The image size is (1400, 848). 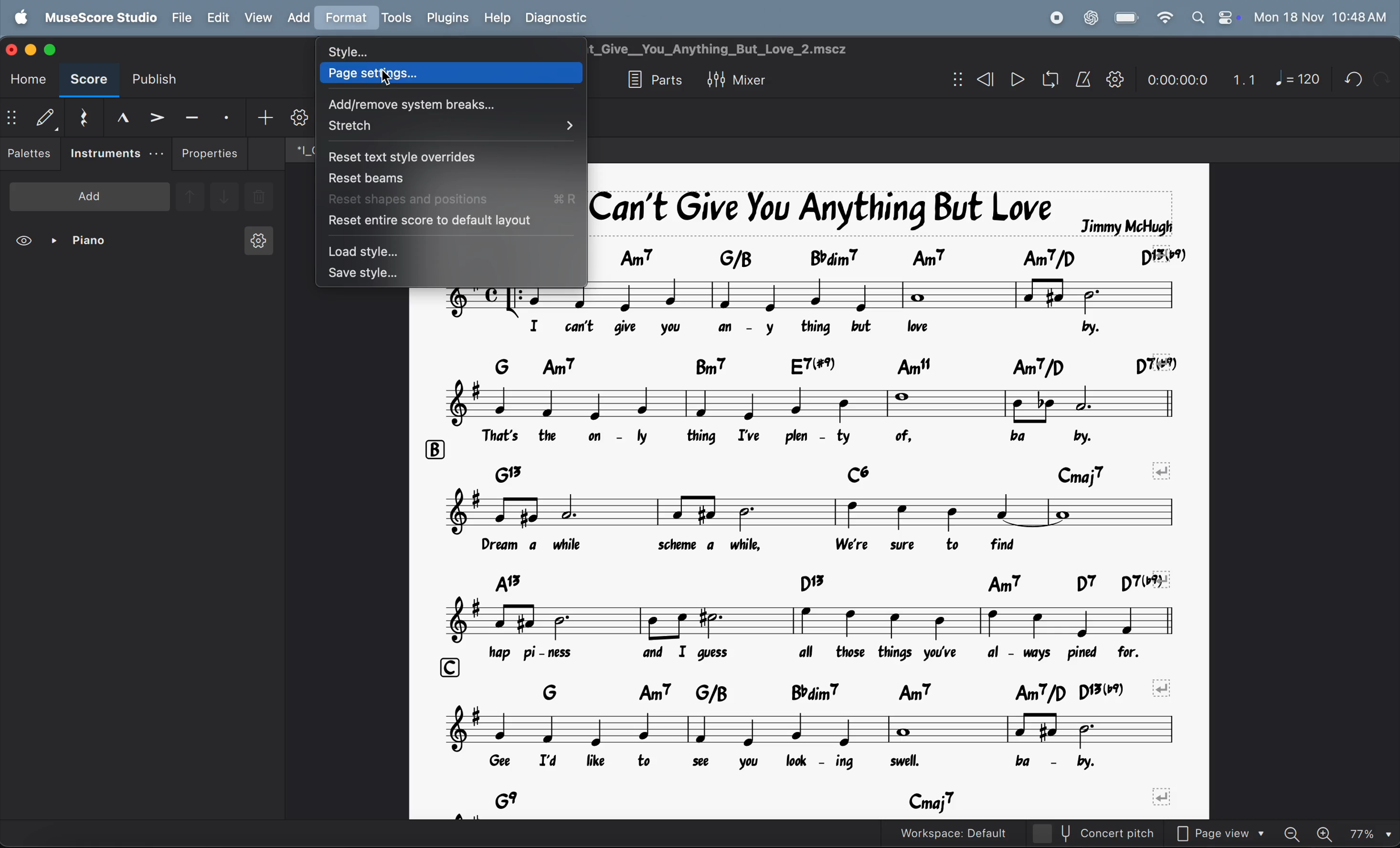 What do you see at coordinates (56, 49) in the screenshot?
I see `maximize` at bounding box center [56, 49].